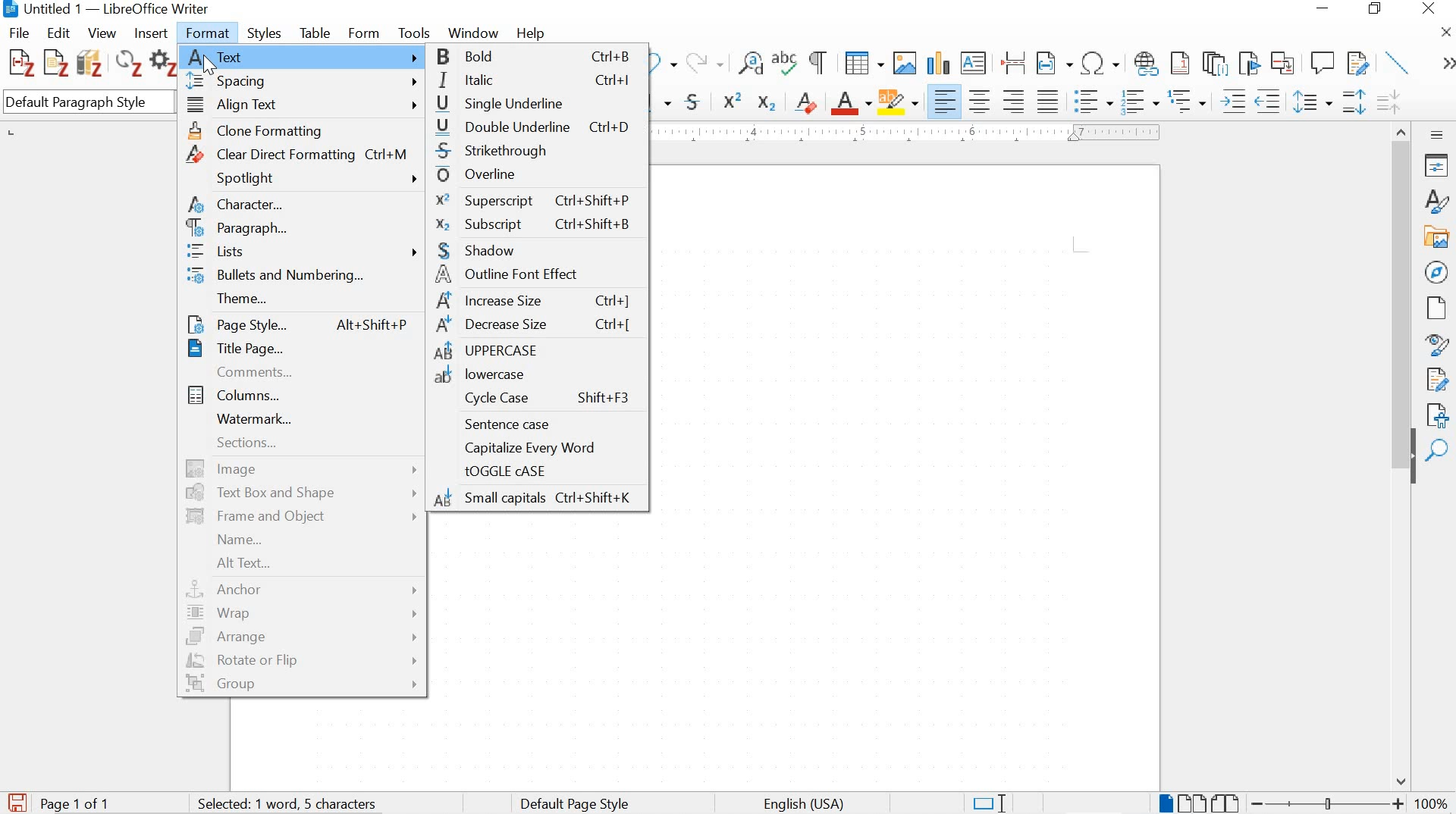 The image size is (1456, 814). What do you see at coordinates (1353, 104) in the screenshot?
I see `increase paragraph spacing` at bounding box center [1353, 104].